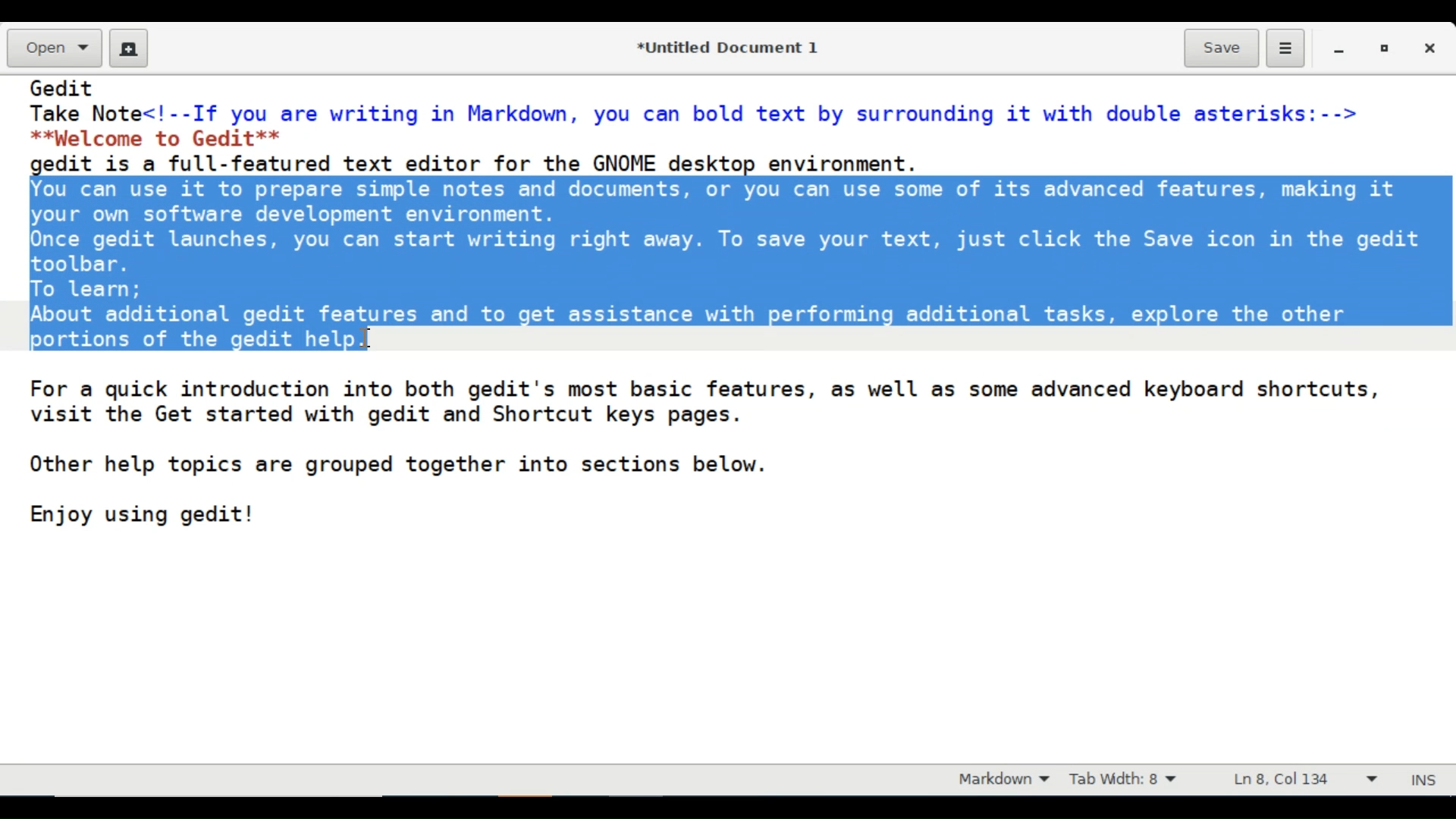 This screenshot has height=819, width=1456. Describe the element at coordinates (1305, 783) in the screenshot. I see `Line & Column Preference` at that location.